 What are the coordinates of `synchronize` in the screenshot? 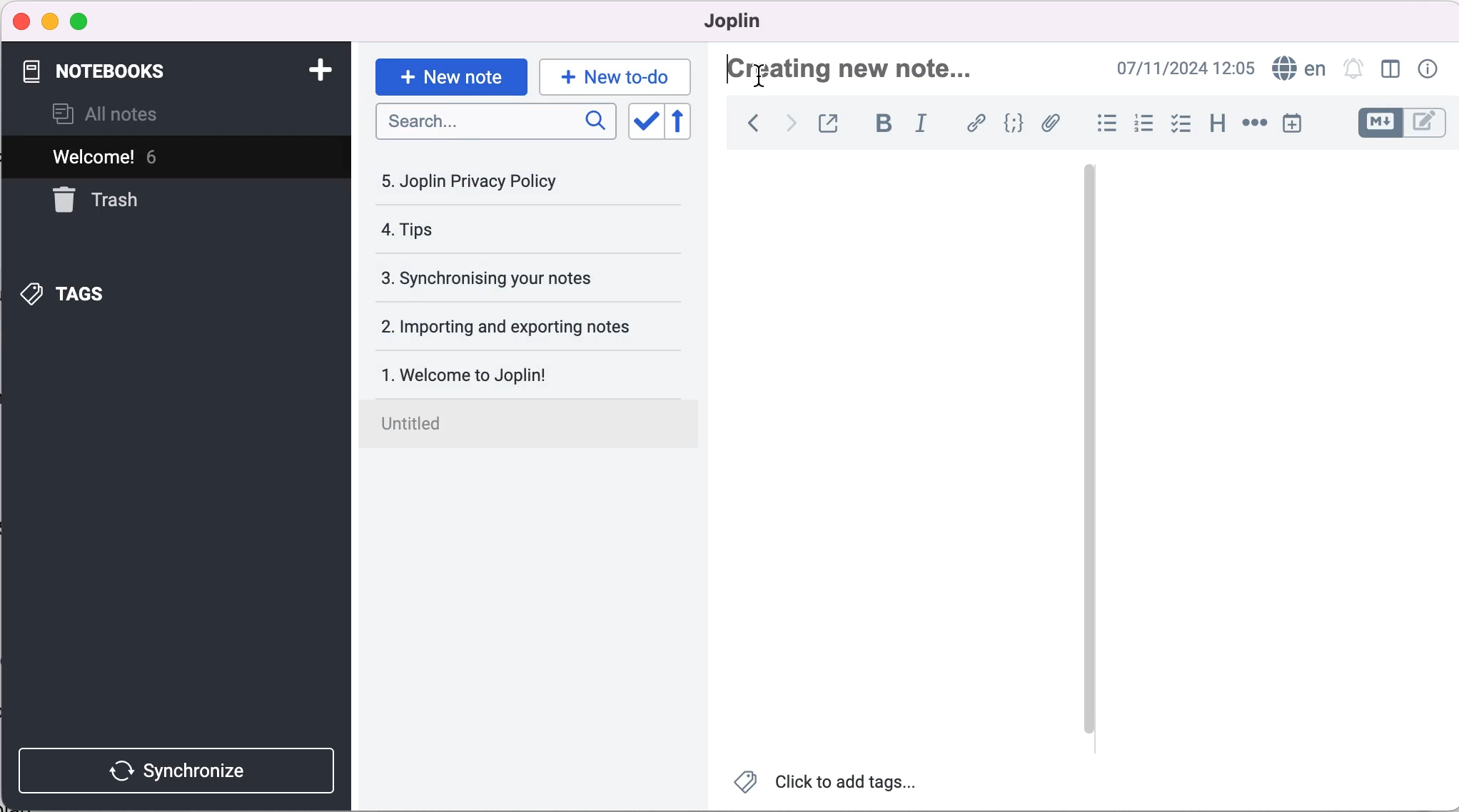 It's located at (180, 766).